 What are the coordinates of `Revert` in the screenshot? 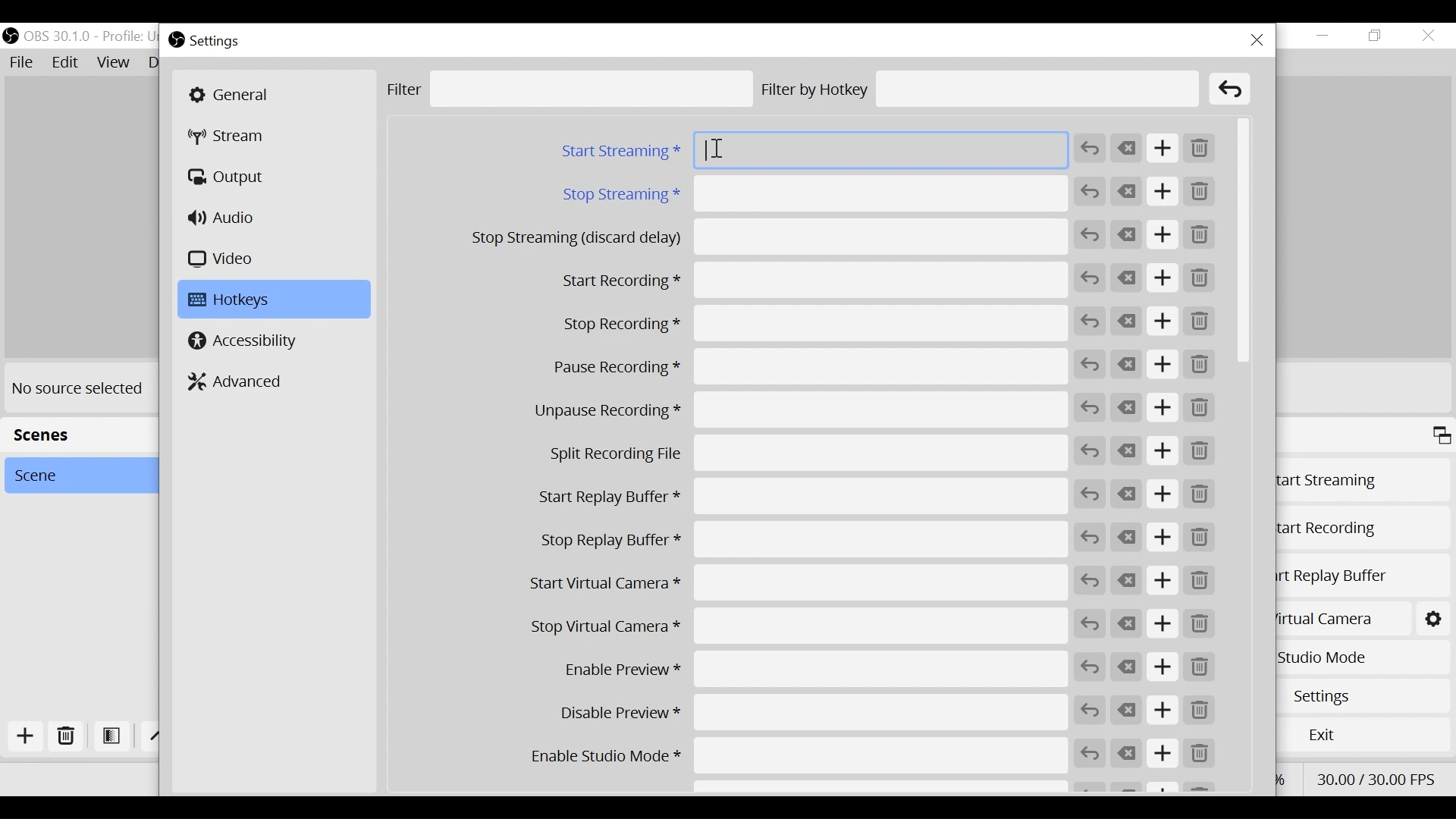 It's located at (1090, 192).